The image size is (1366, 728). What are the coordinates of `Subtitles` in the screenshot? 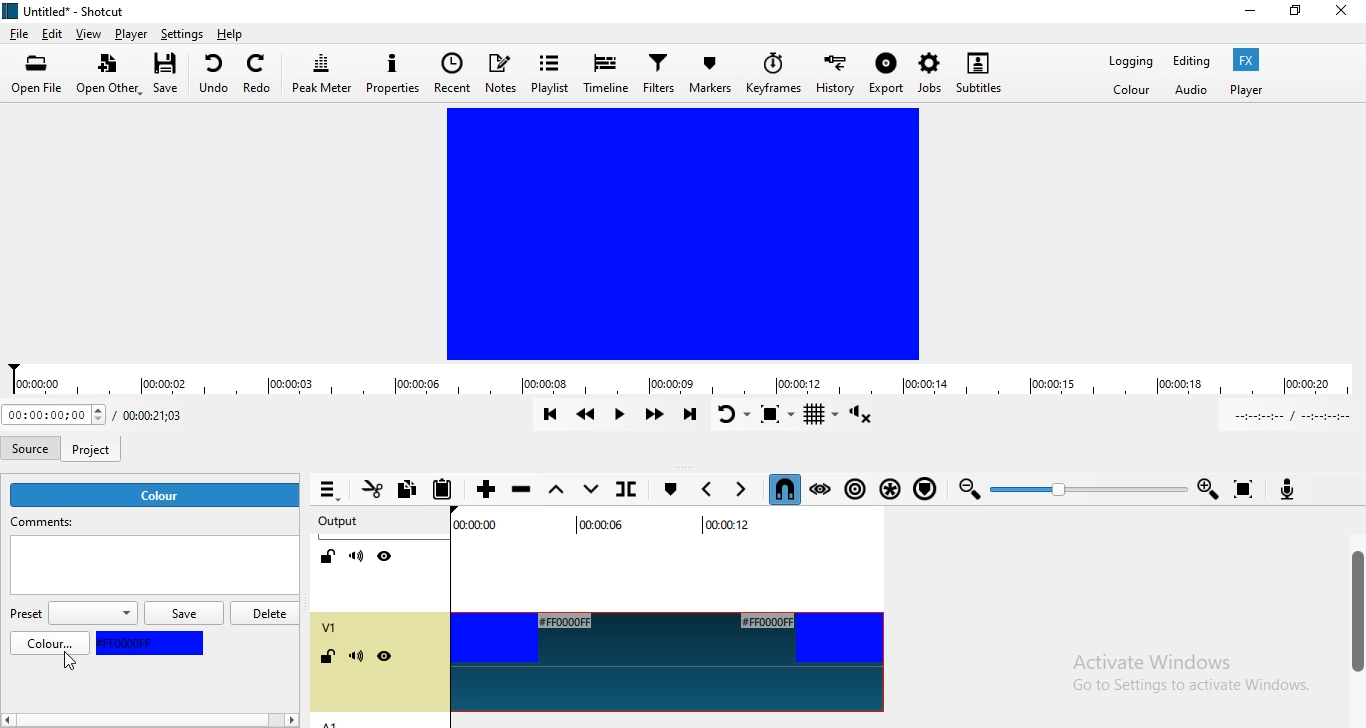 It's located at (983, 70).